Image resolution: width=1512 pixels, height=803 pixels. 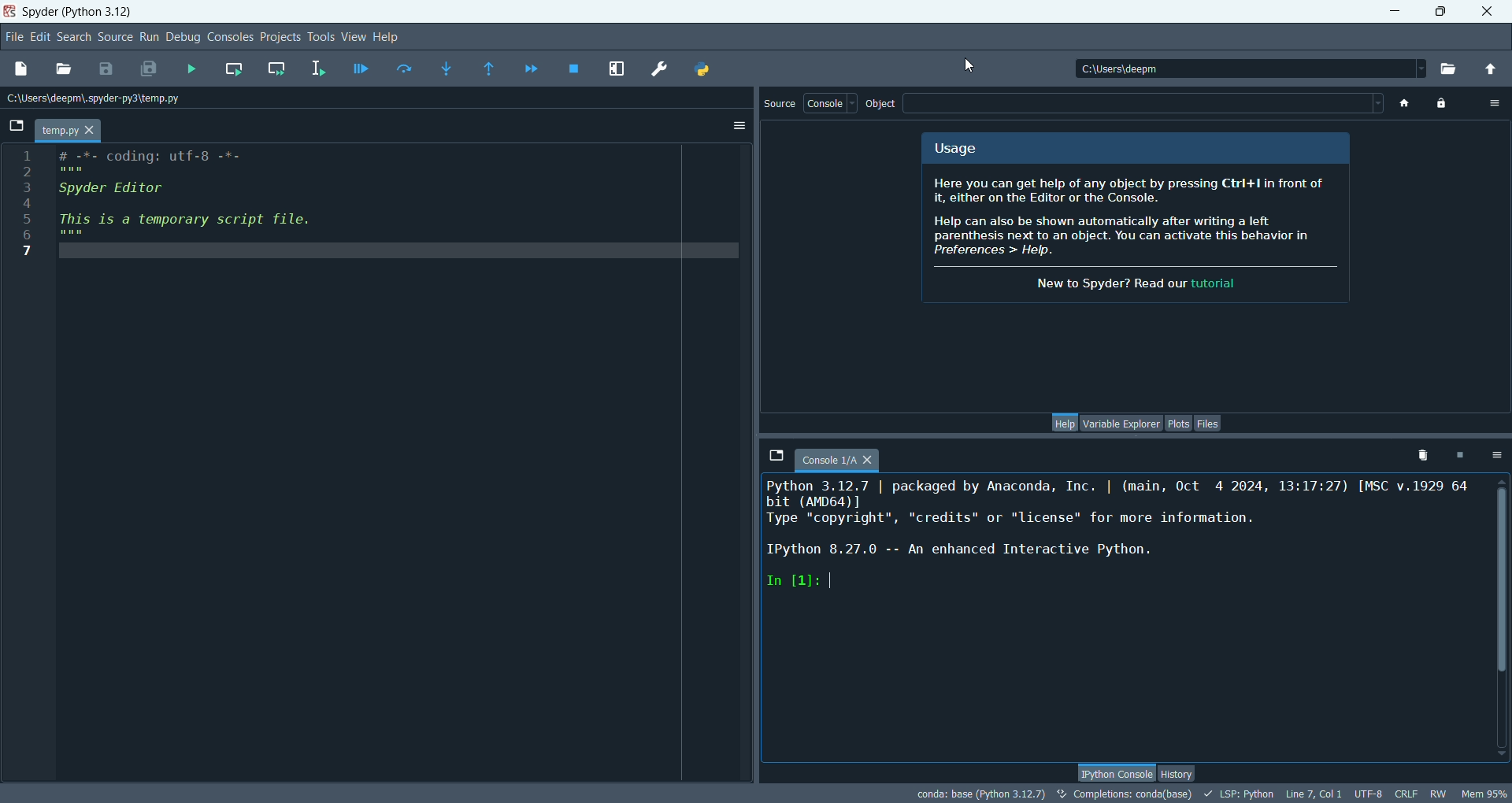 What do you see at coordinates (490, 69) in the screenshot?
I see `run until function returns` at bounding box center [490, 69].